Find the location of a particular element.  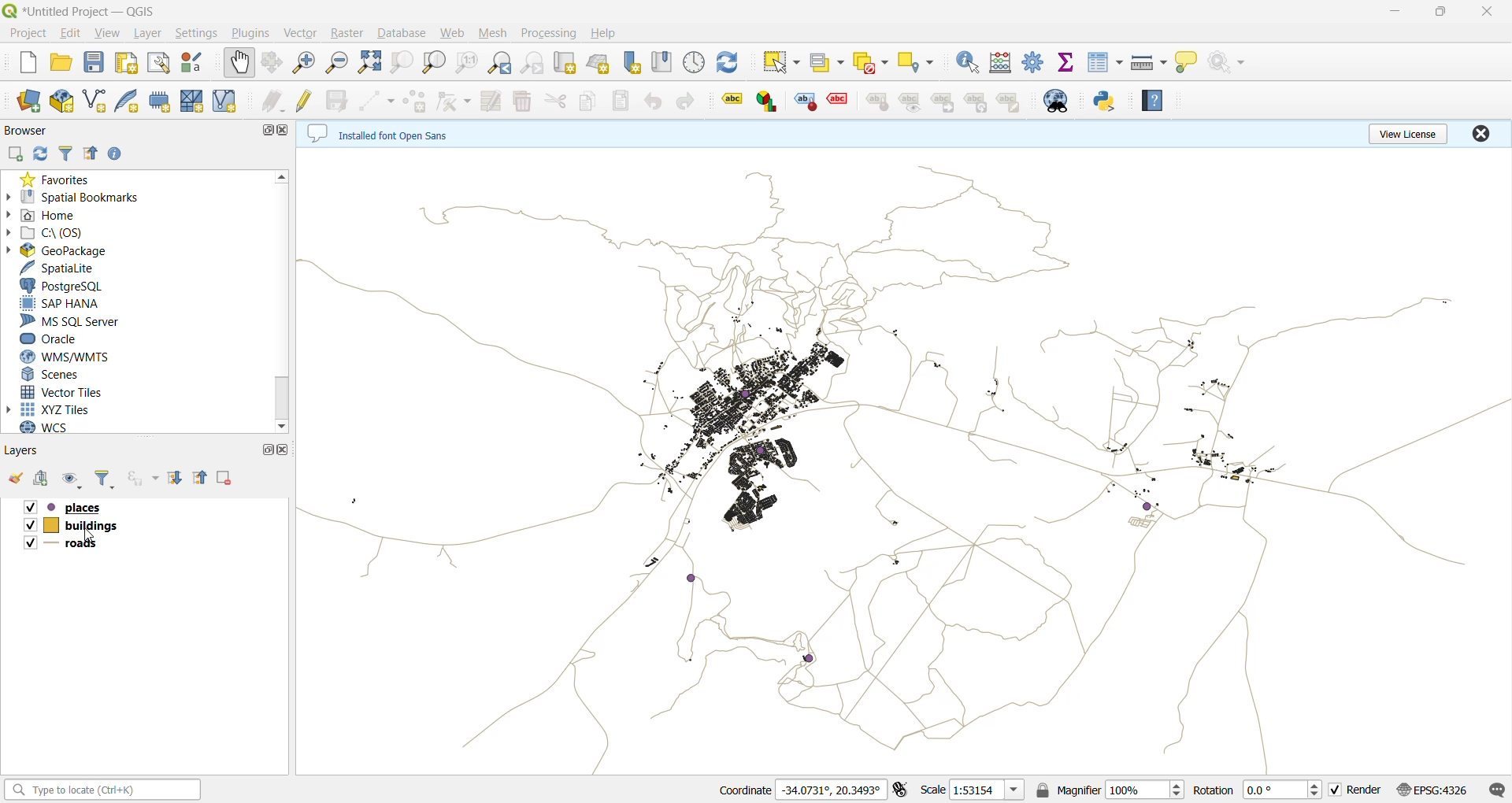

open is located at coordinates (61, 65).